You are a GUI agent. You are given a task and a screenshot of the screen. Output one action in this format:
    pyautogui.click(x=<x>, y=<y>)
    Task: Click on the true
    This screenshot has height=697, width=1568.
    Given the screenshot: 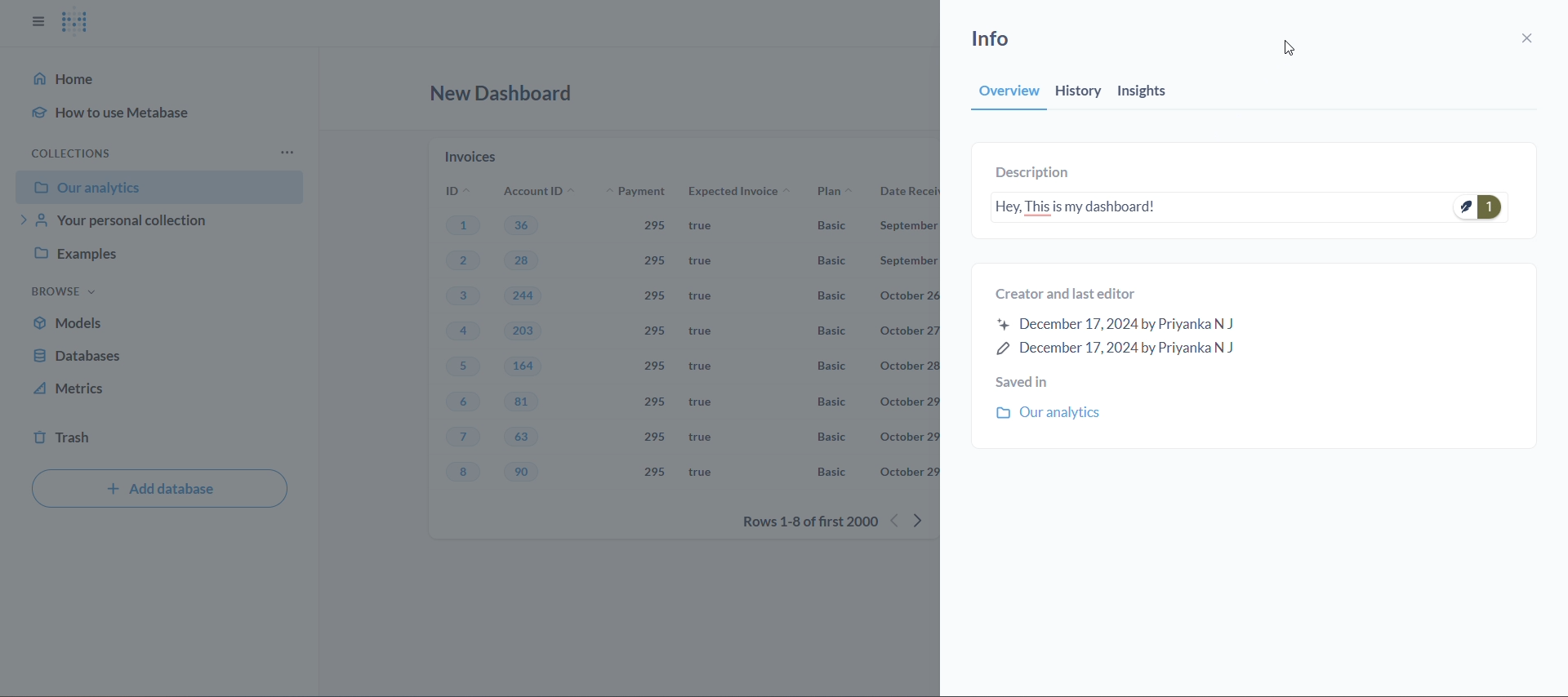 What is the action you would take?
    pyautogui.click(x=698, y=437)
    